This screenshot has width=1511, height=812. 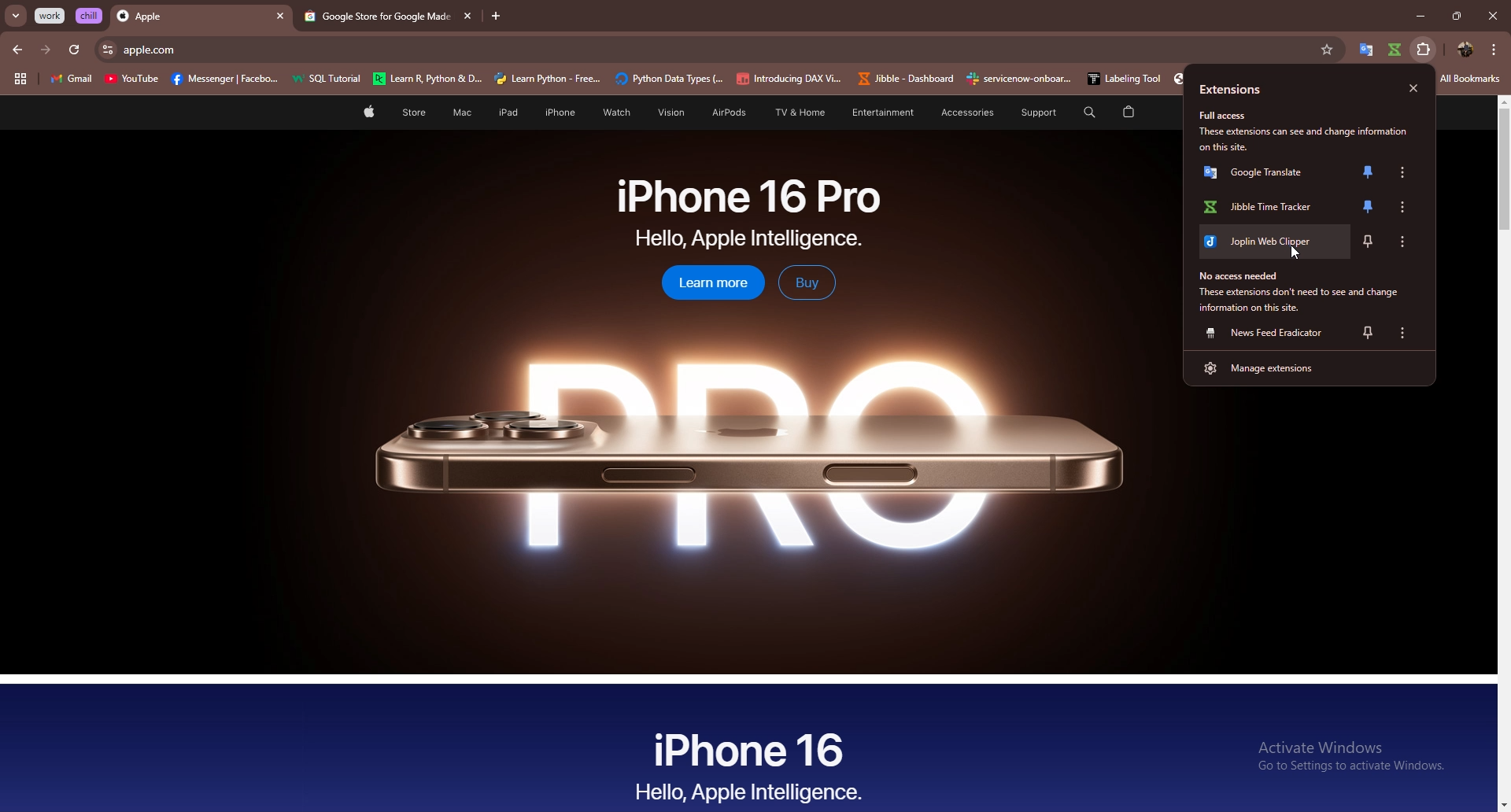 I want to click on Phyton Data Types(..., so click(x=669, y=79).